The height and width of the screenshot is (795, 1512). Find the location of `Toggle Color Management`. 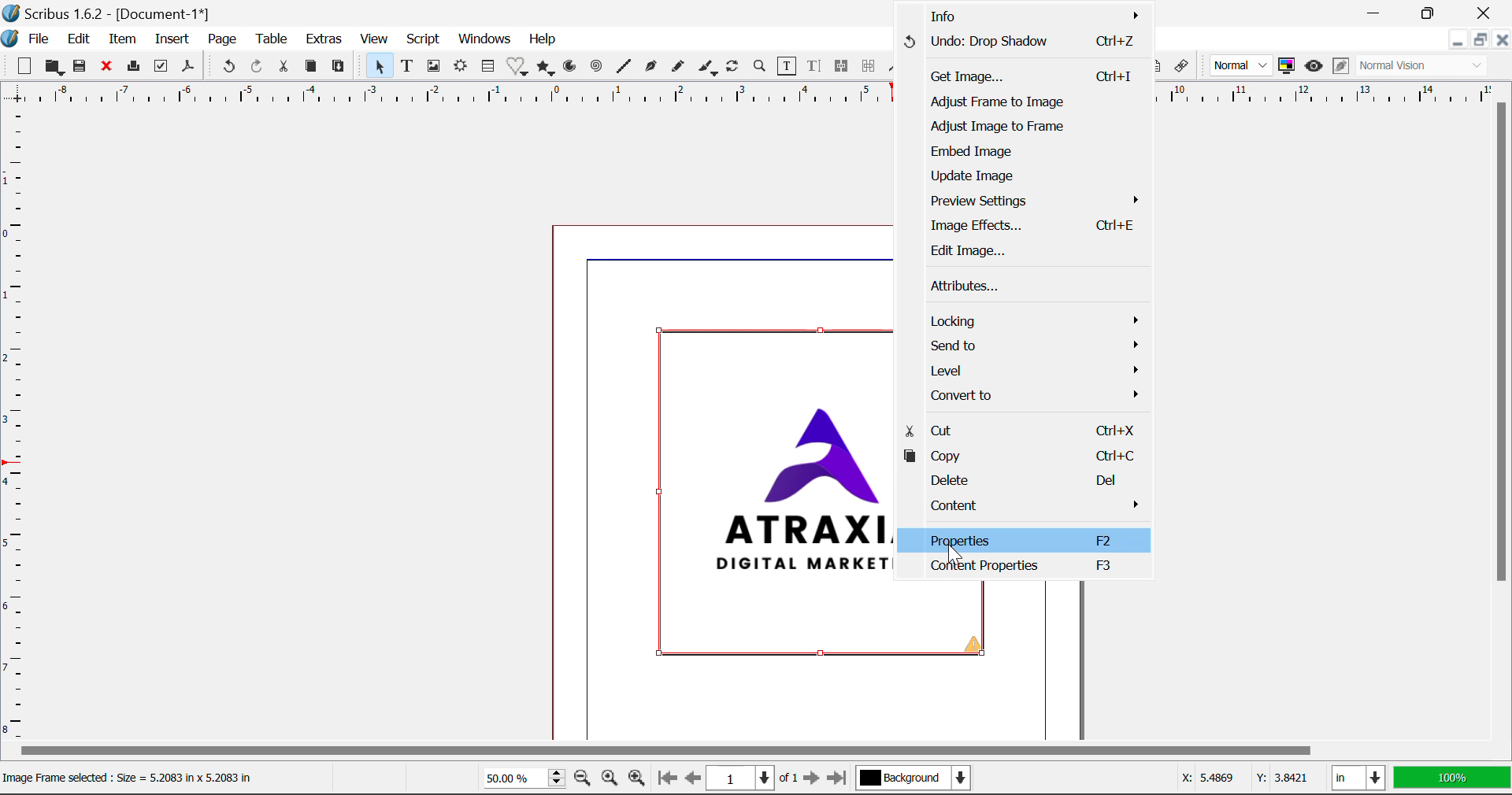

Toggle Color Management is located at coordinates (1286, 66).